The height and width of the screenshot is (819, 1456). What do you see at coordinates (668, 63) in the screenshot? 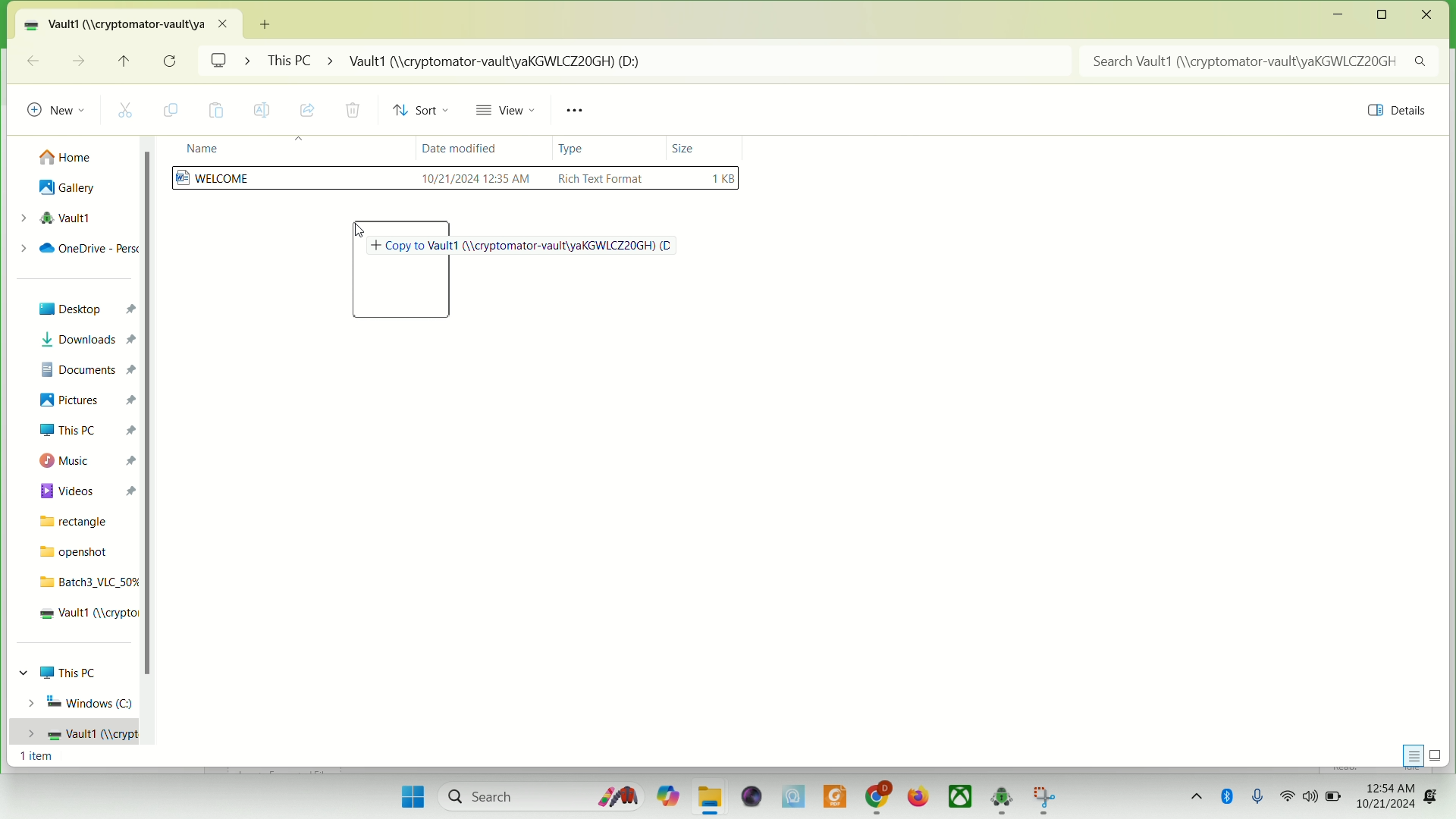
I see `This PC > Vault1 (//cryptomator-vault/yaKGWLCZ20GH) (D:)` at bounding box center [668, 63].